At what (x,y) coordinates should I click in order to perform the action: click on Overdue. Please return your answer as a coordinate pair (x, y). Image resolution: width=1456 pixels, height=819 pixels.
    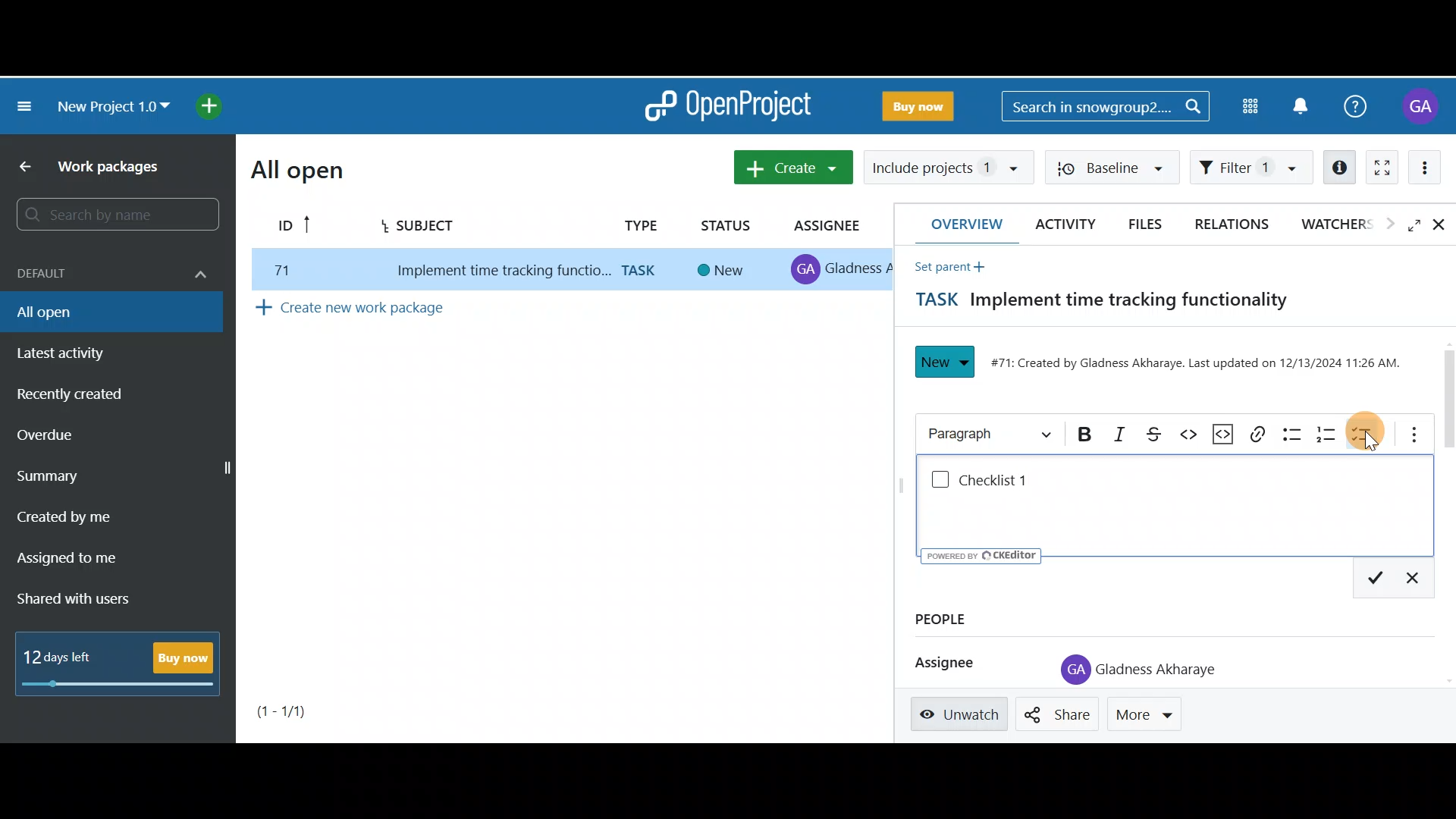
    Looking at the image, I should click on (64, 434).